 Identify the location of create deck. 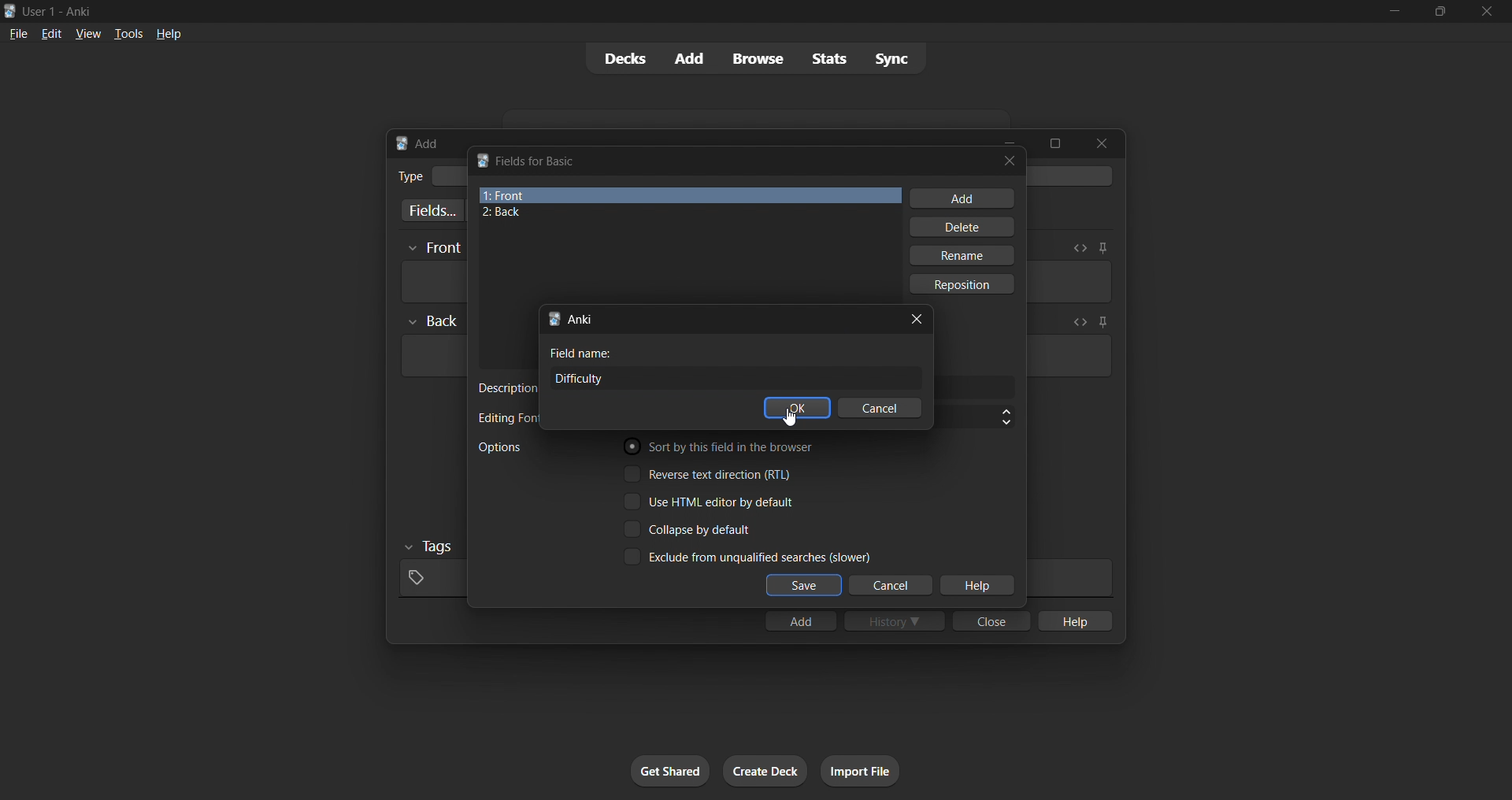
(765, 771).